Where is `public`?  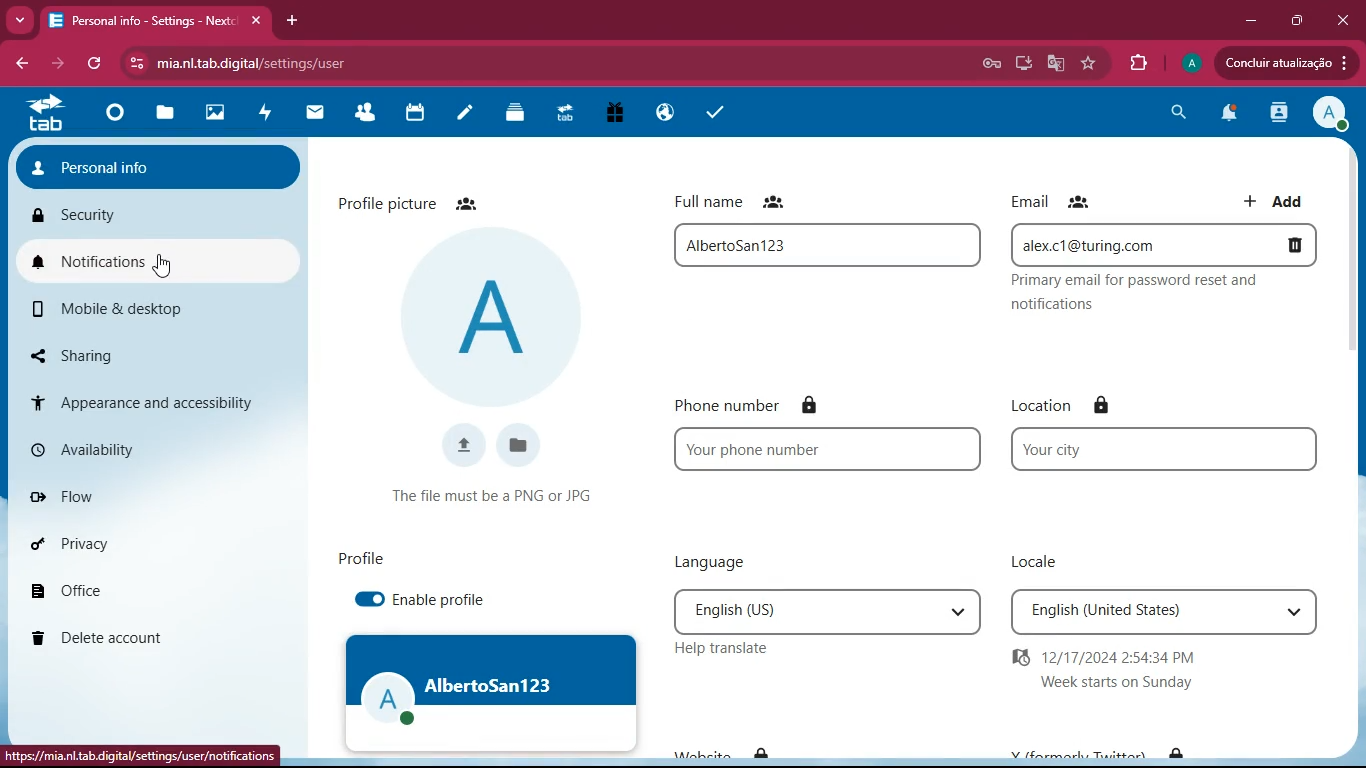 public is located at coordinates (660, 112).